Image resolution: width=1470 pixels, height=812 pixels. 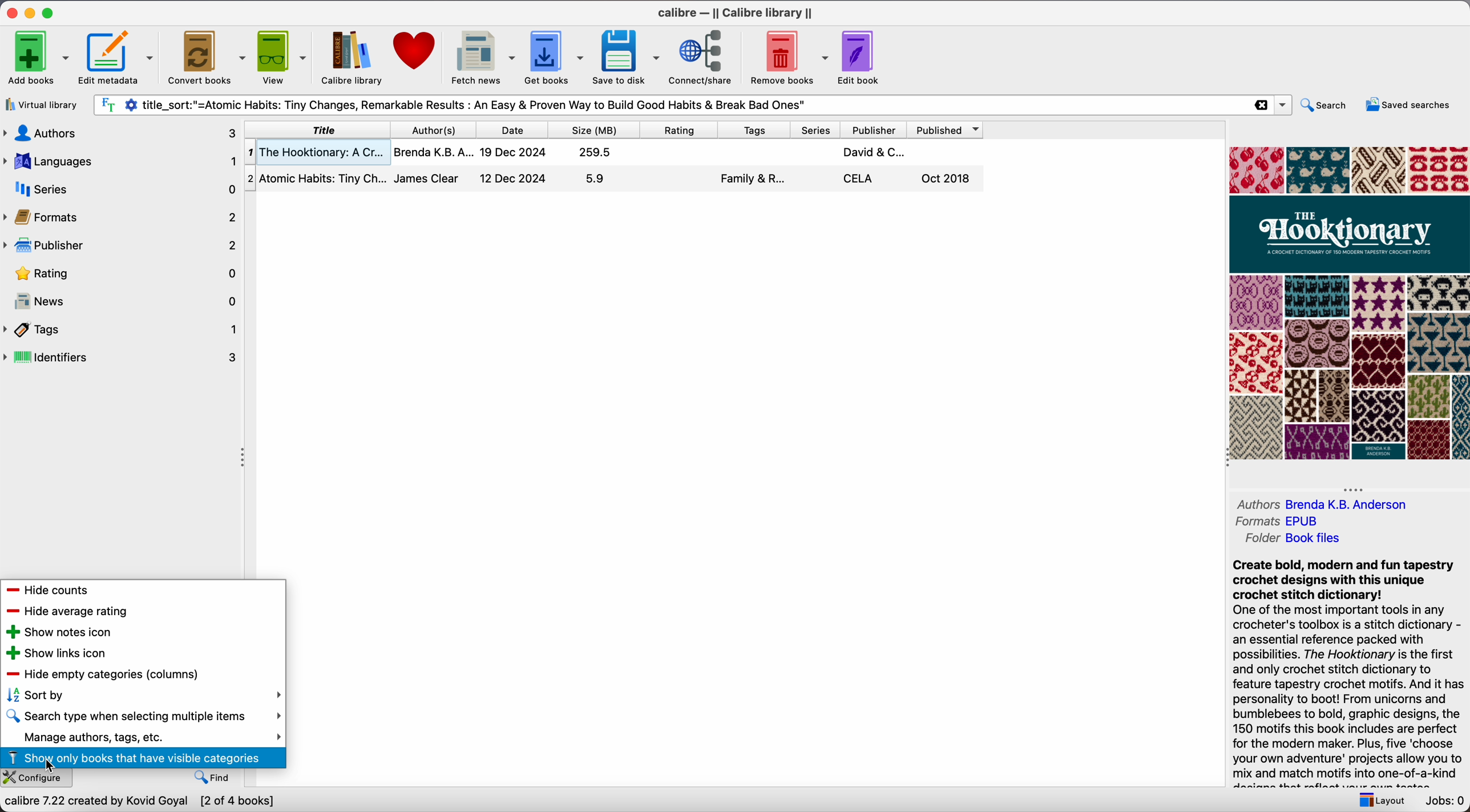 What do you see at coordinates (417, 47) in the screenshot?
I see `Donate` at bounding box center [417, 47].